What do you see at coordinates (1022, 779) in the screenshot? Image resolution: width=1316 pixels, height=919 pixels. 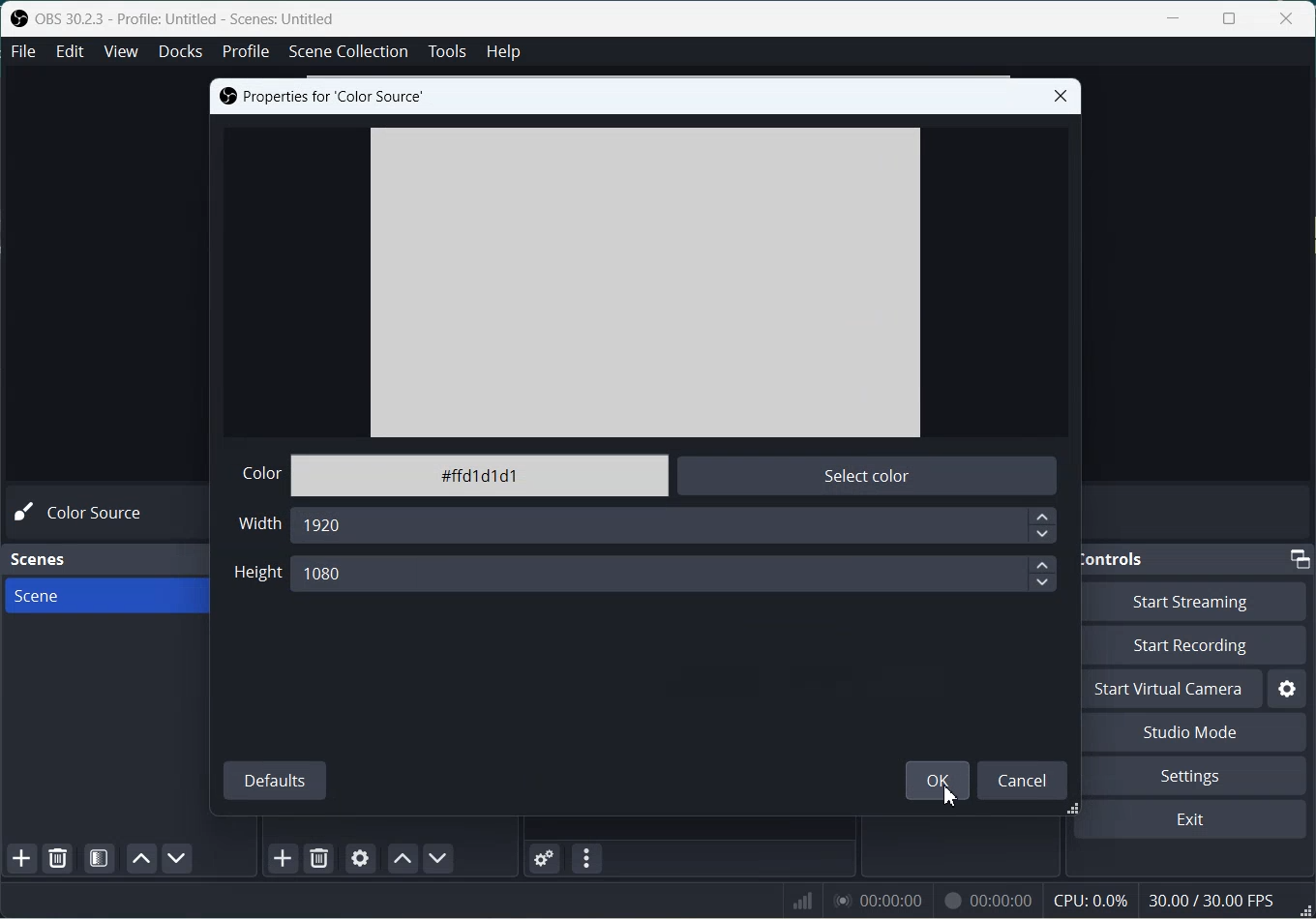 I see `Cancel` at bounding box center [1022, 779].